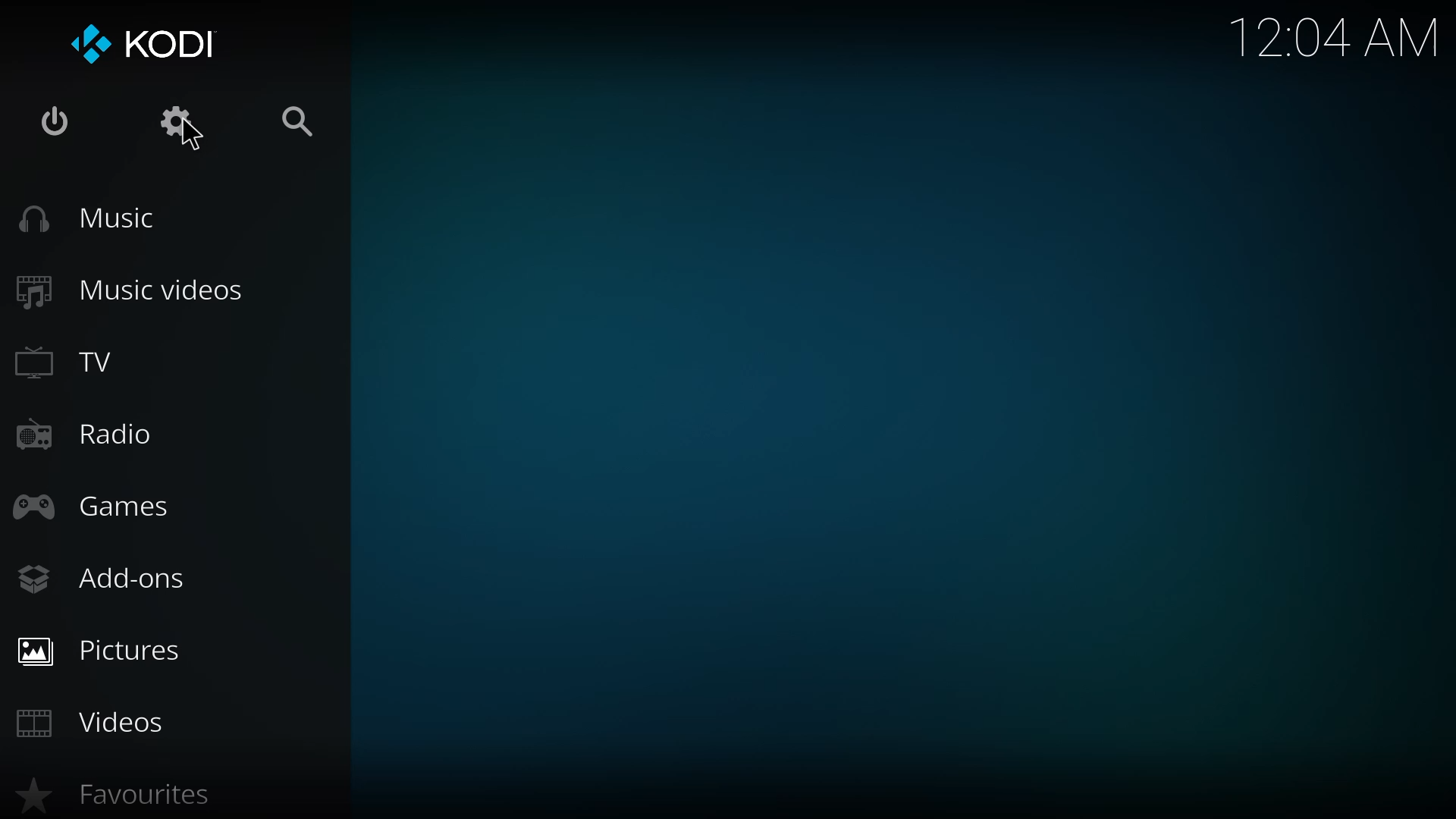 This screenshot has width=1456, height=819. Describe the element at coordinates (89, 434) in the screenshot. I see `radio` at that location.